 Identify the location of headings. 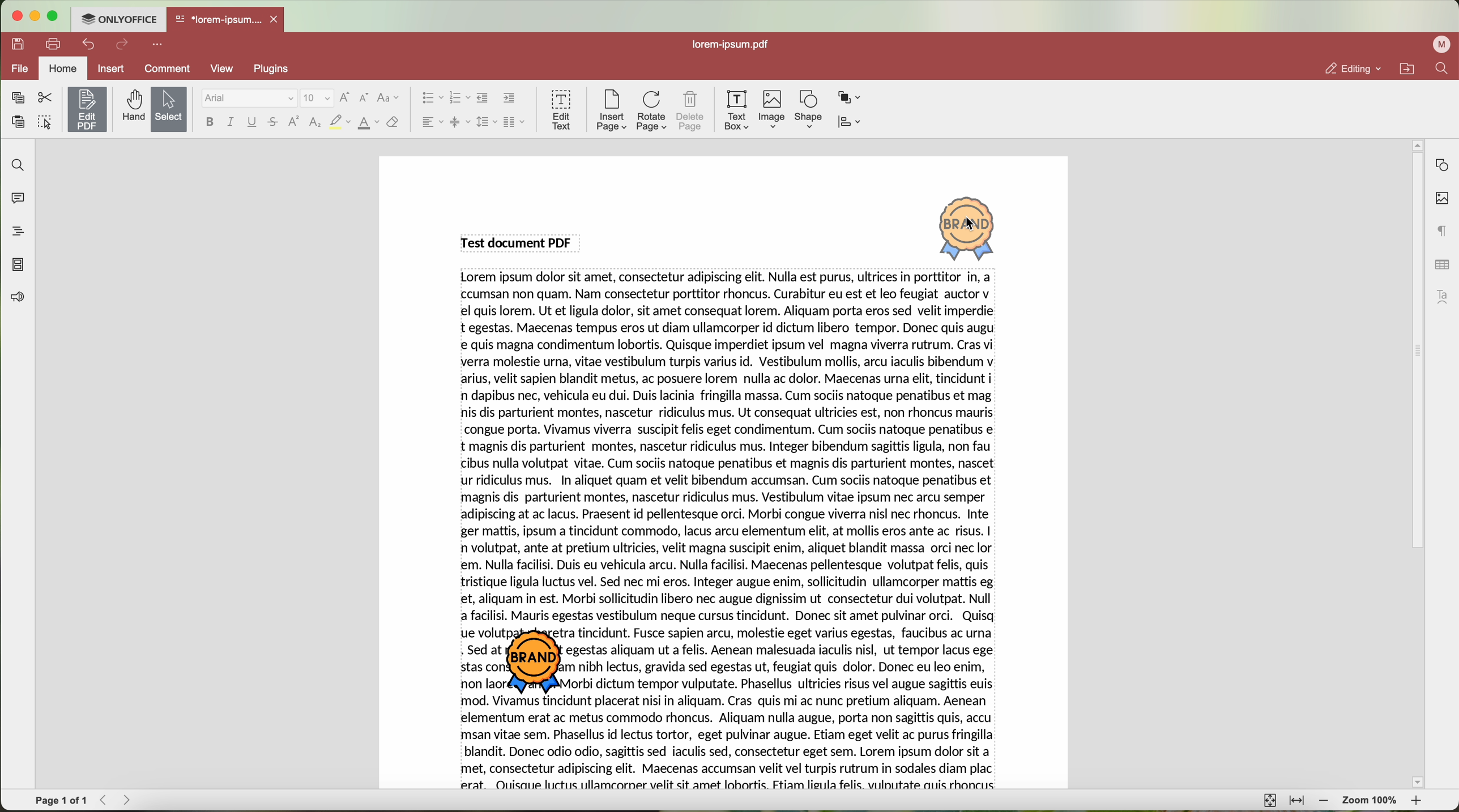
(14, 231).